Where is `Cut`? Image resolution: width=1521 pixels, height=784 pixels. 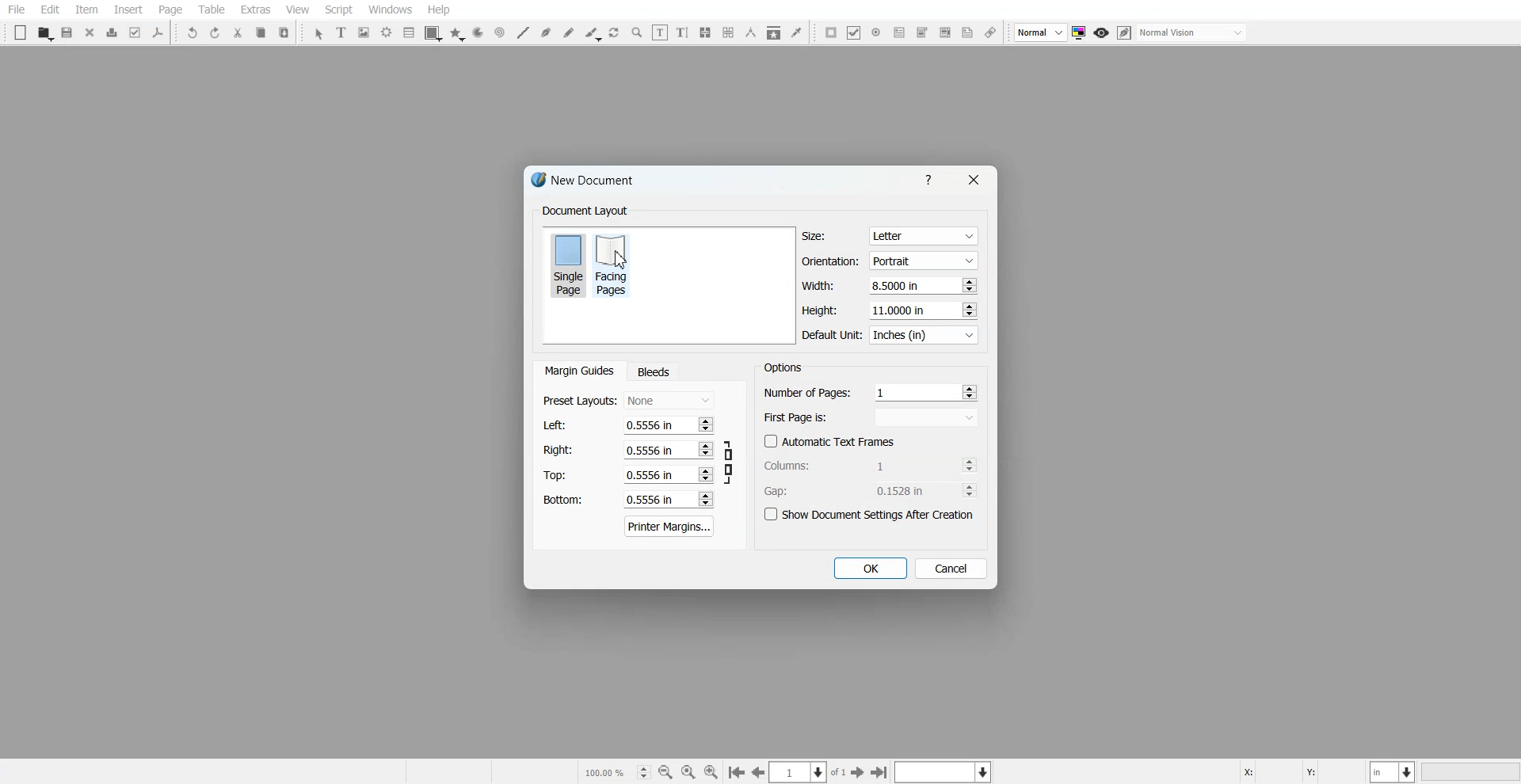
Cut is located at coordinates (238, 32).